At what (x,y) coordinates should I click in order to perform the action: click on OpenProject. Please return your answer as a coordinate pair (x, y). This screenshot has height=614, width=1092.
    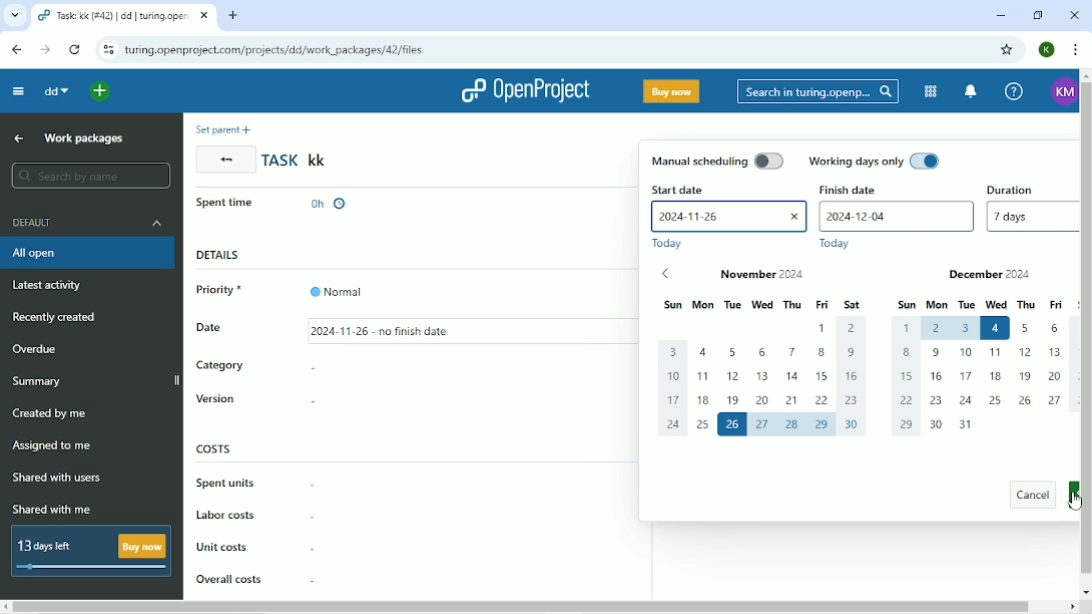
    Looking at the image, I should click on (524, 91).